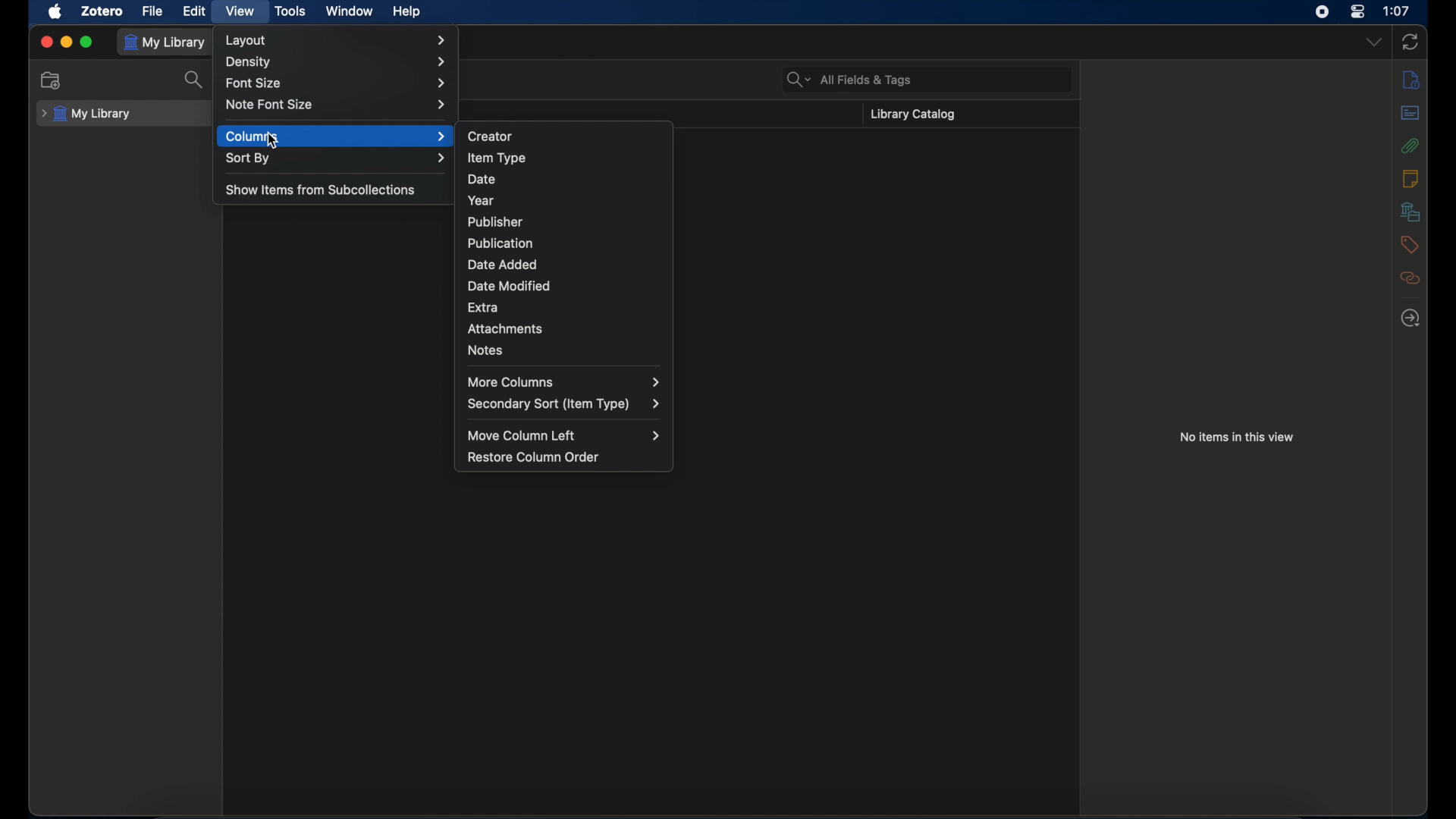 The image size is (1456, 819). What do you see at coordinates (334, 41) in the screenshot?
I see `layout` at bounding box center [334, 41].